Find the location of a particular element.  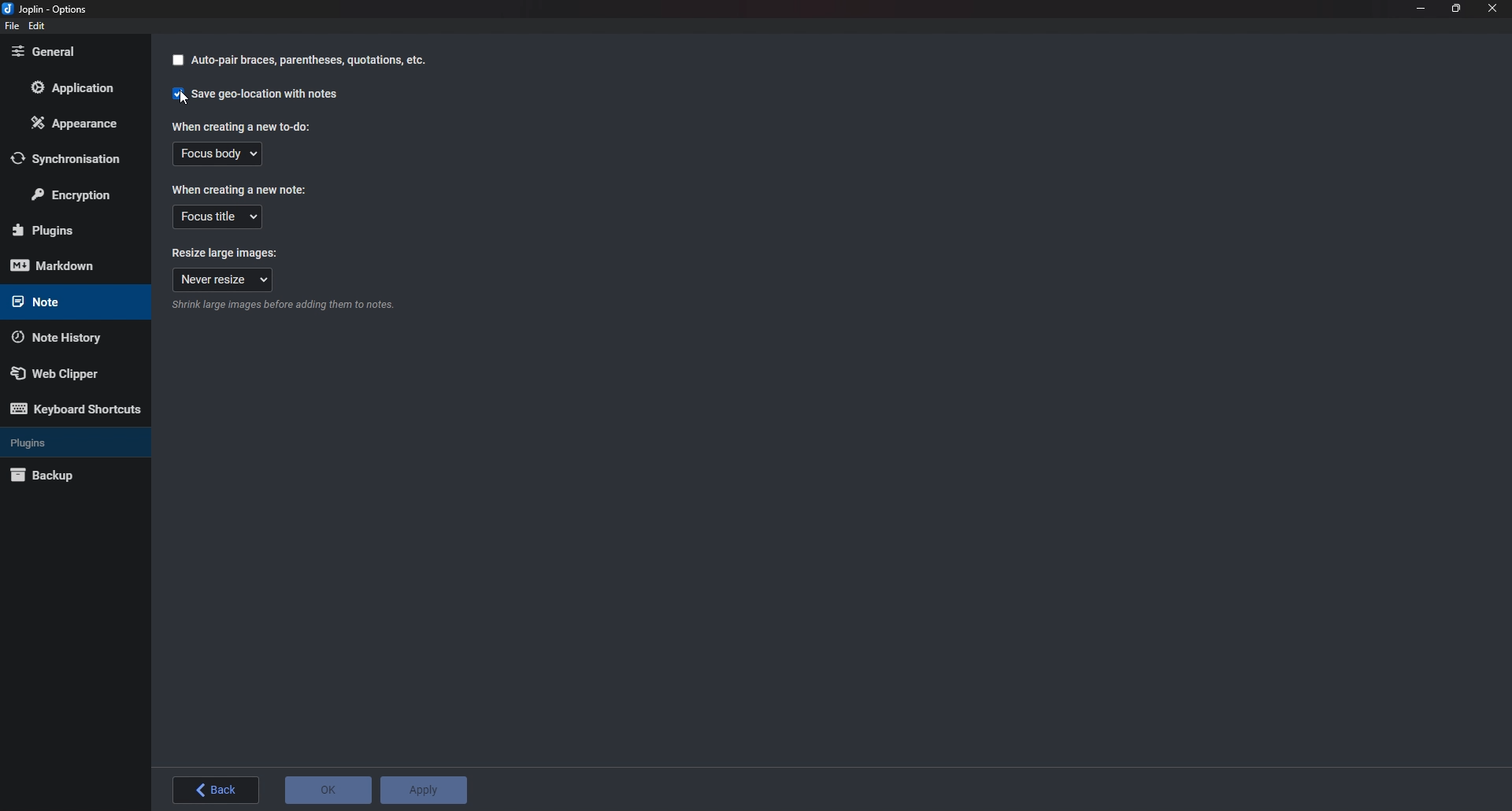

Note history is located at coordinates (71, 336).